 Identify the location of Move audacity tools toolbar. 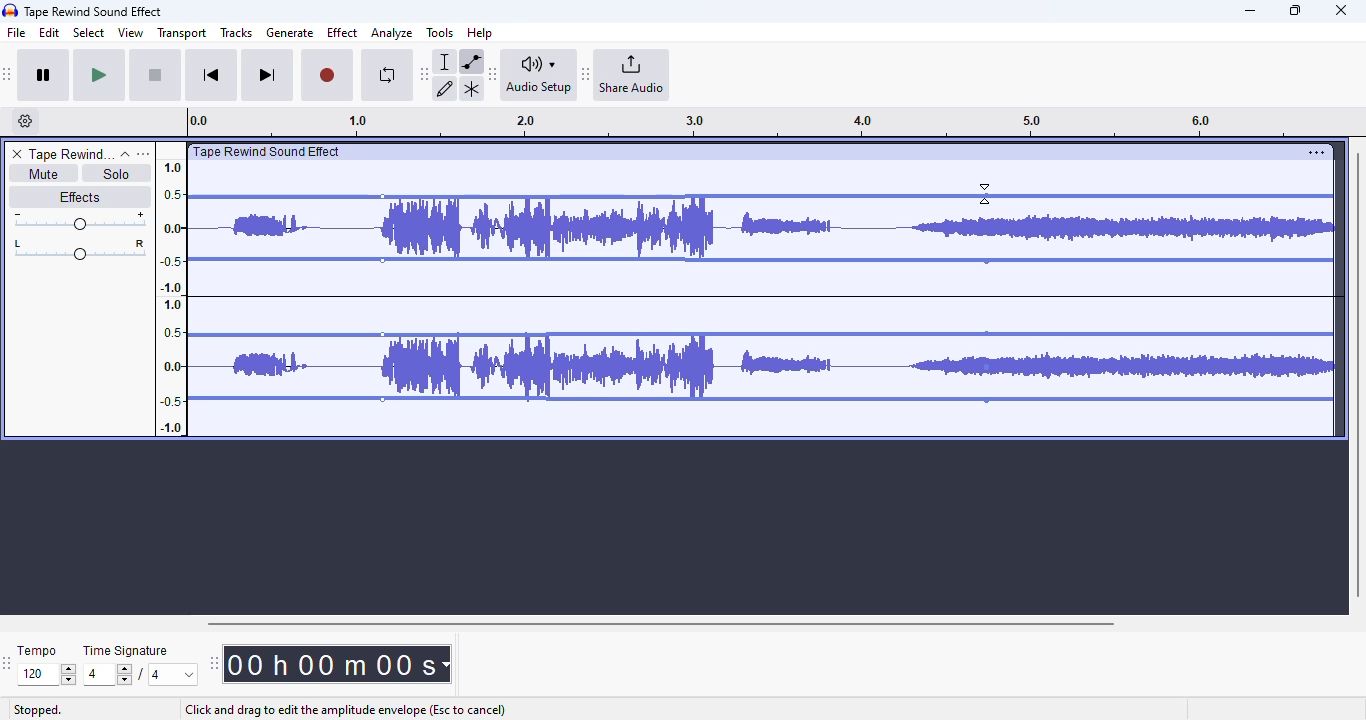
(425, 73).